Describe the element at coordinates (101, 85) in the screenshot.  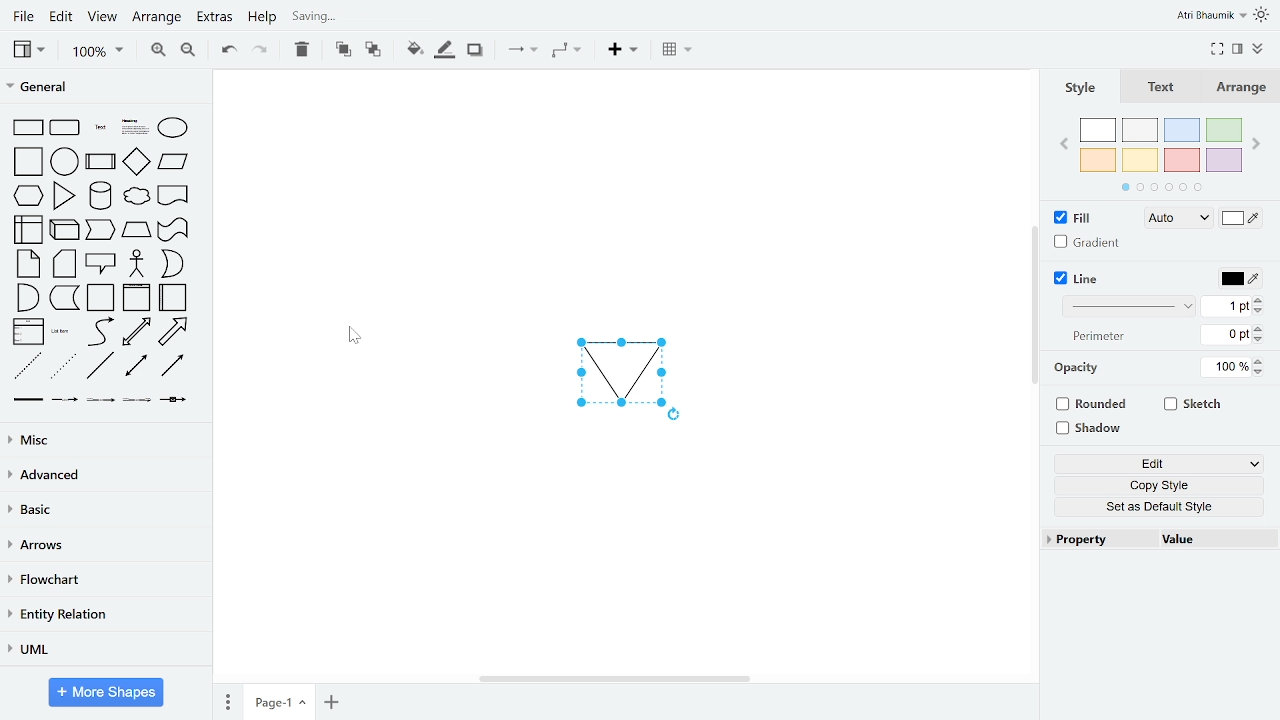
I see `general` at that location.